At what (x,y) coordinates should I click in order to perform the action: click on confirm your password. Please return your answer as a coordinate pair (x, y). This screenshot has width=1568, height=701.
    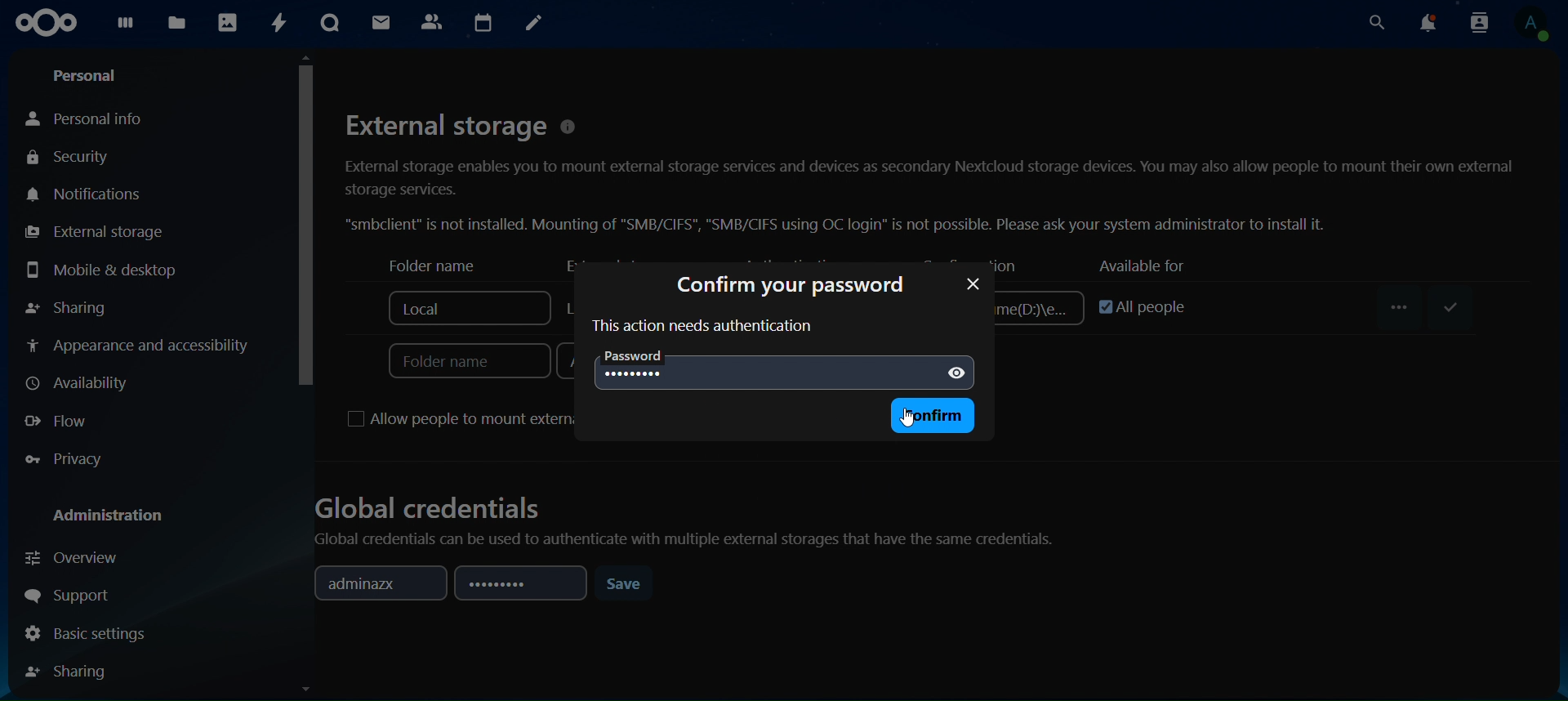
    Looking at the image, I should click on (790, 287).